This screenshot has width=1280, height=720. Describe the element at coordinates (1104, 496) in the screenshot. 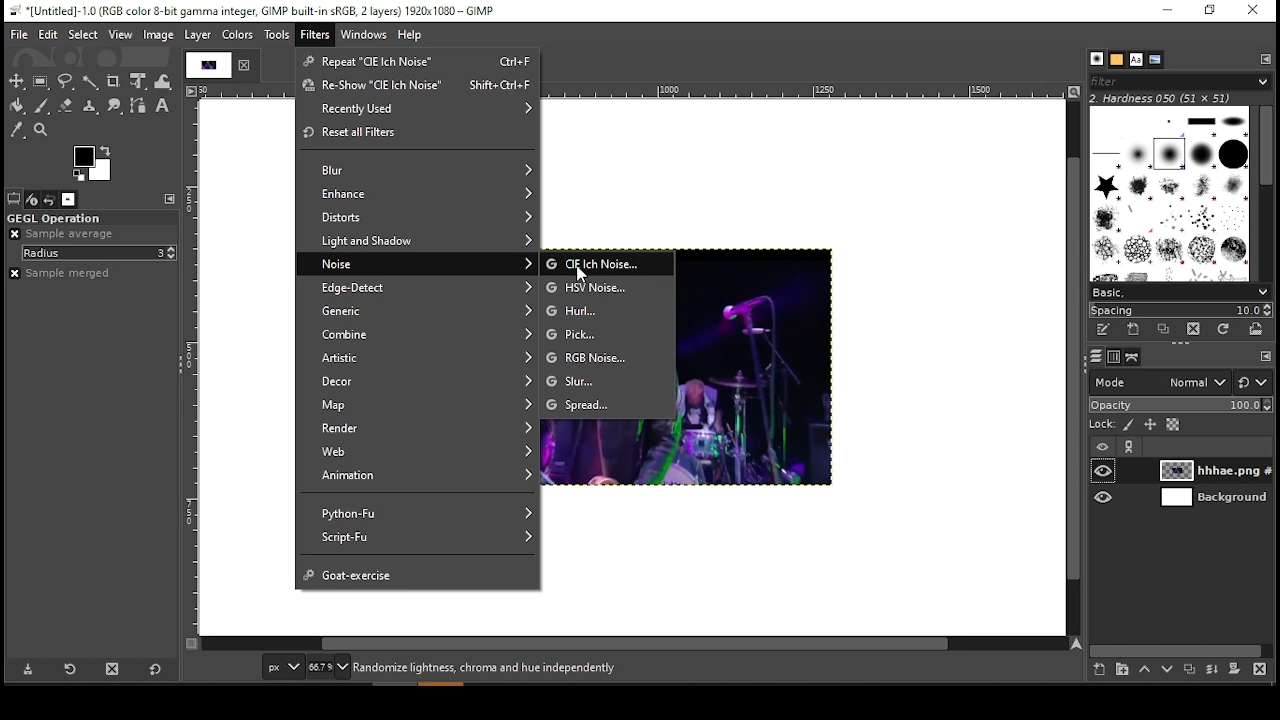

I see `layer visibility on/off` at that location.